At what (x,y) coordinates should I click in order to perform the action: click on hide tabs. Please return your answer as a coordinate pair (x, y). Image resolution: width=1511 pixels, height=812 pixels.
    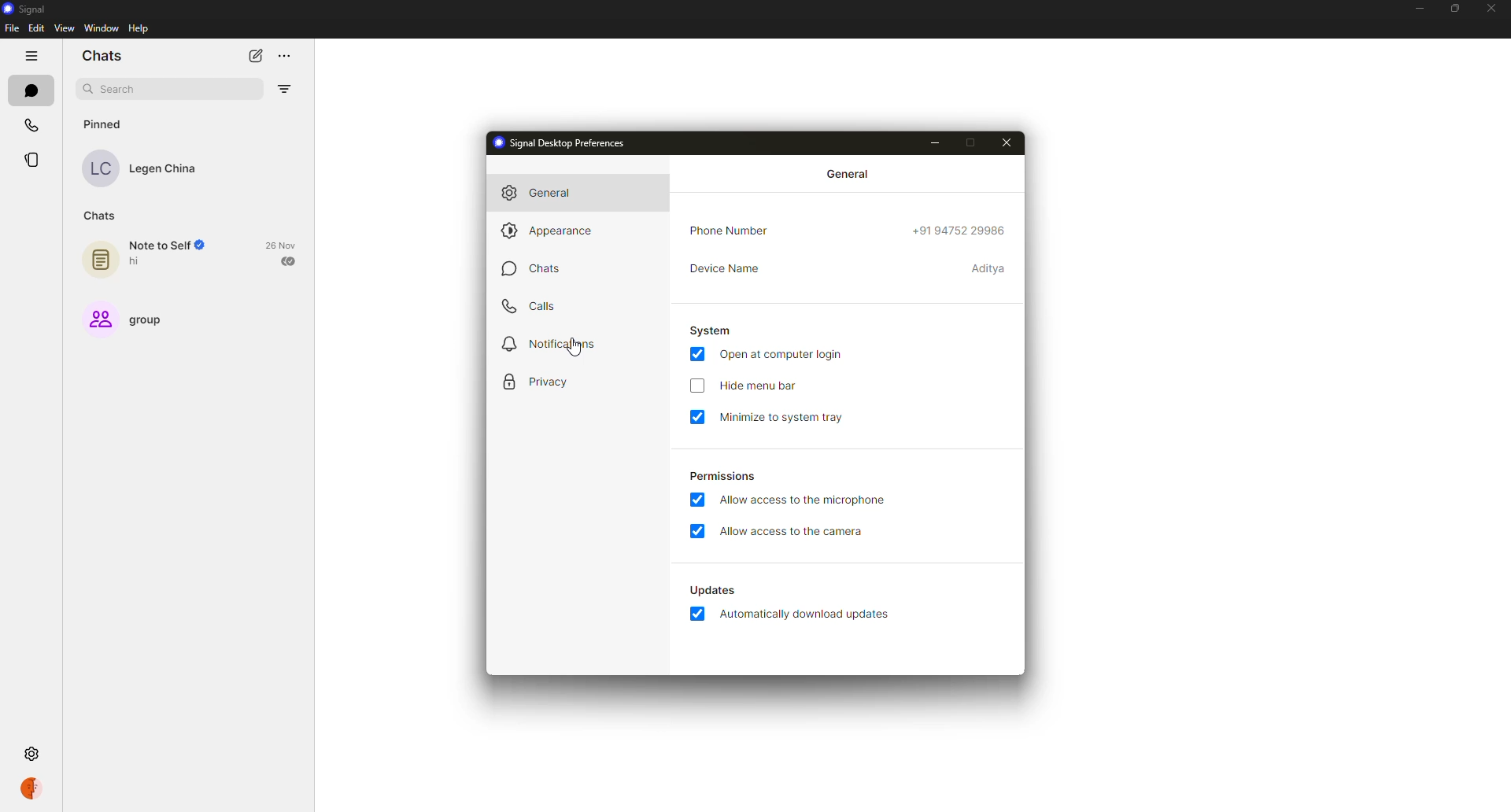
    Looking at the image, I should click on (31, 56).